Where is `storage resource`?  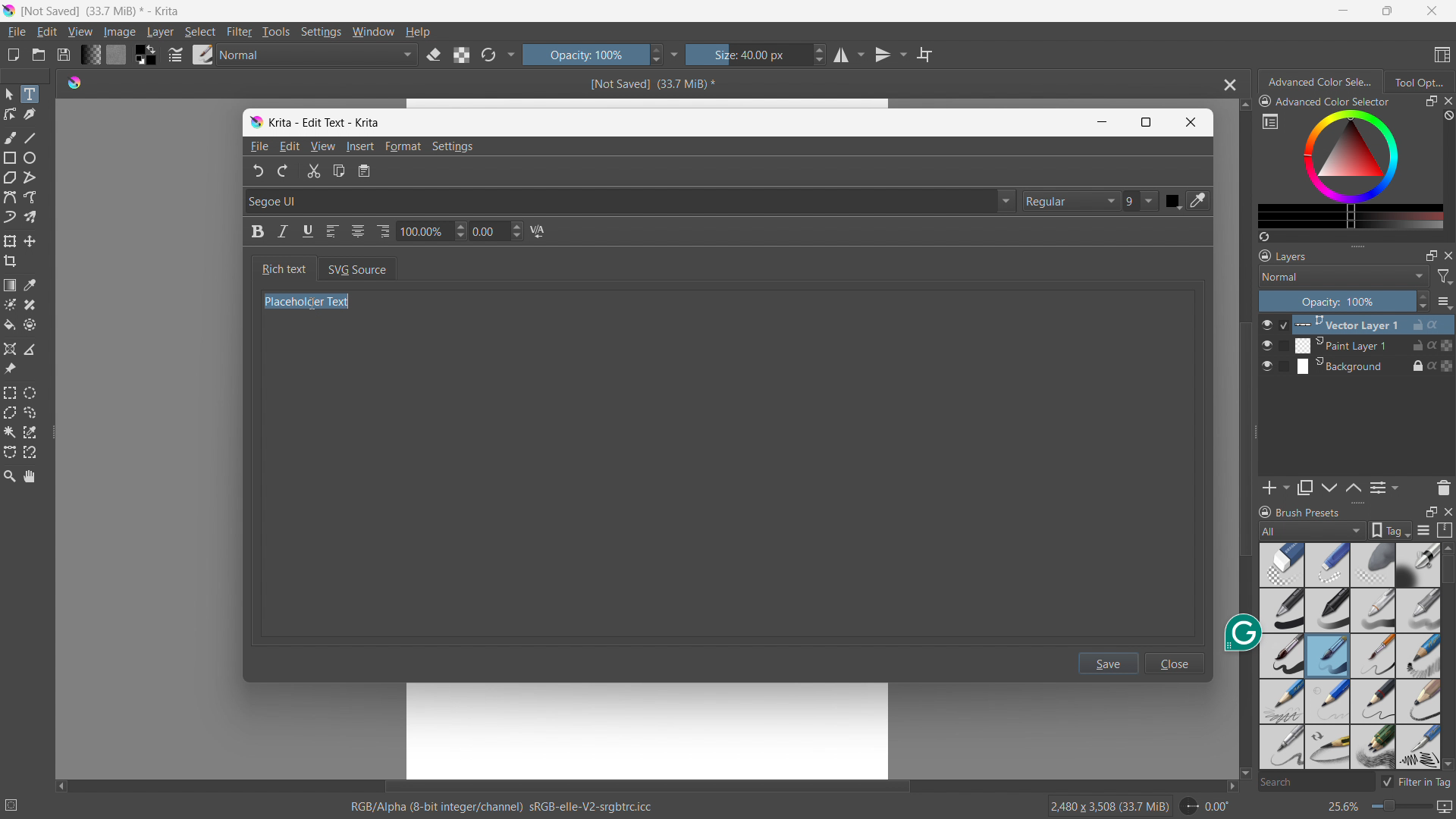 storage resource is located at coordinates (1445, 530).